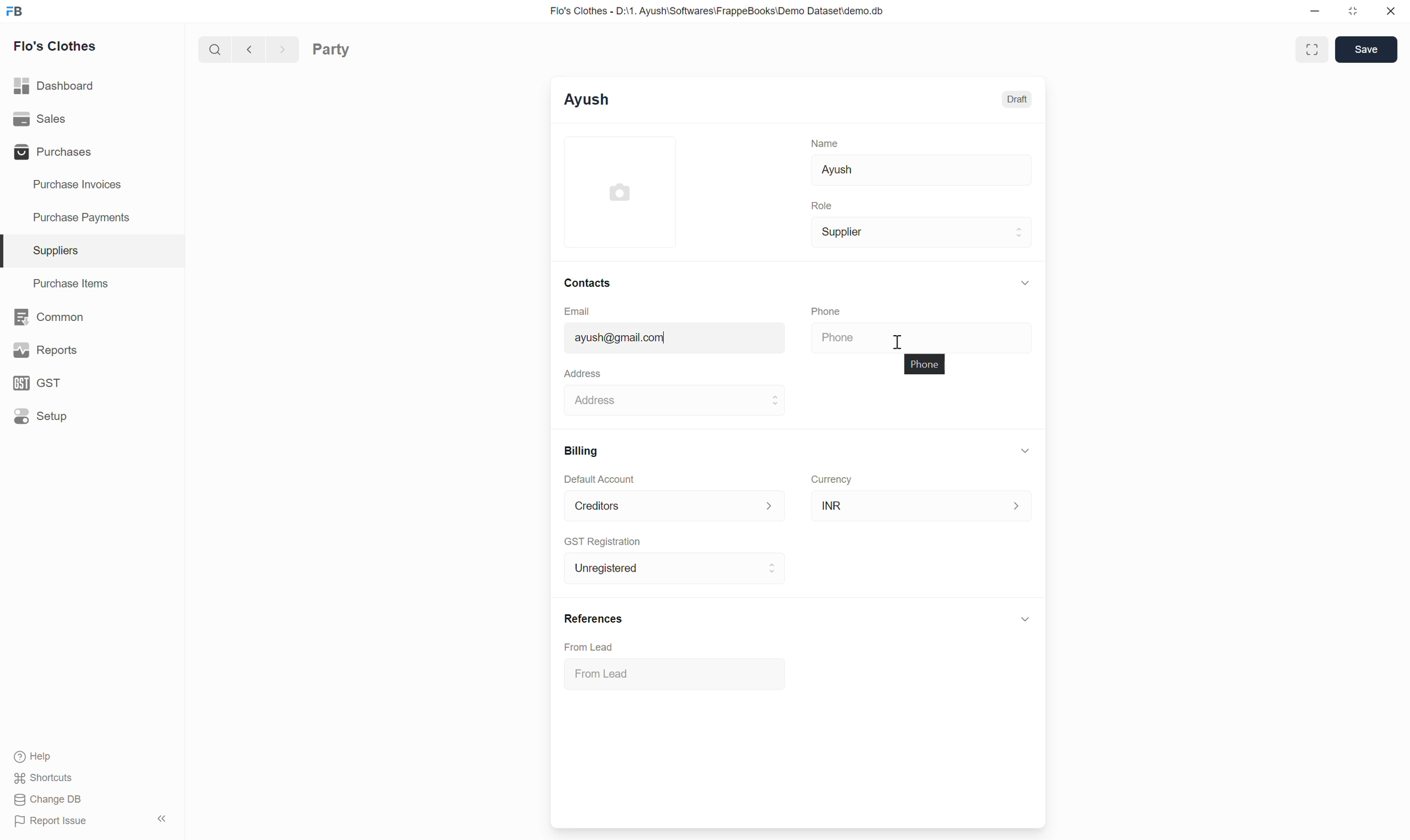  What do you see at coordinates (1311, 49) in the screenshot?
I see `Toggle between form and full width` at bounding box center [1311, 49].